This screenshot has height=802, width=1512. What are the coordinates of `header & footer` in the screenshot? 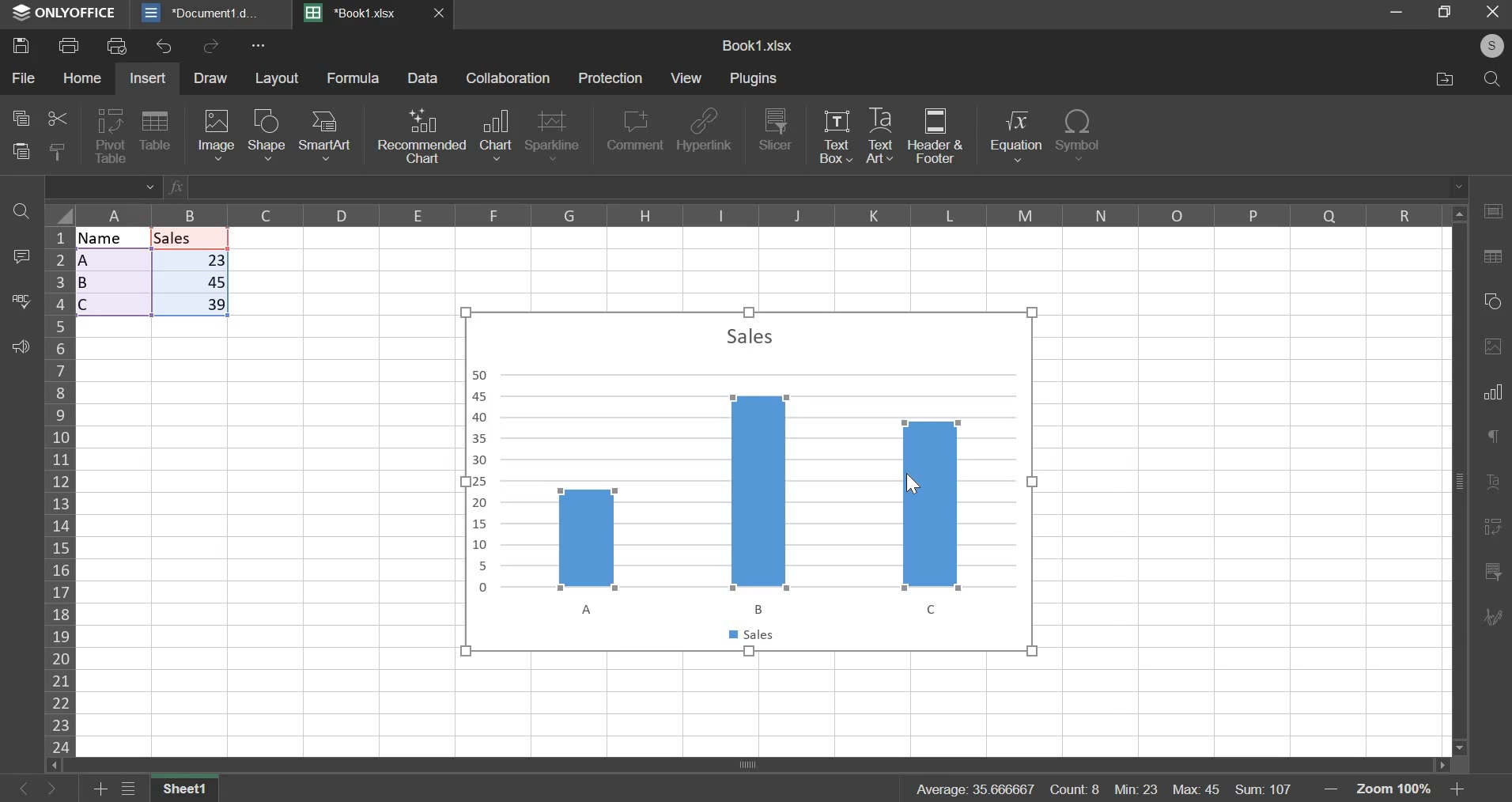 It's located at (936, 136).